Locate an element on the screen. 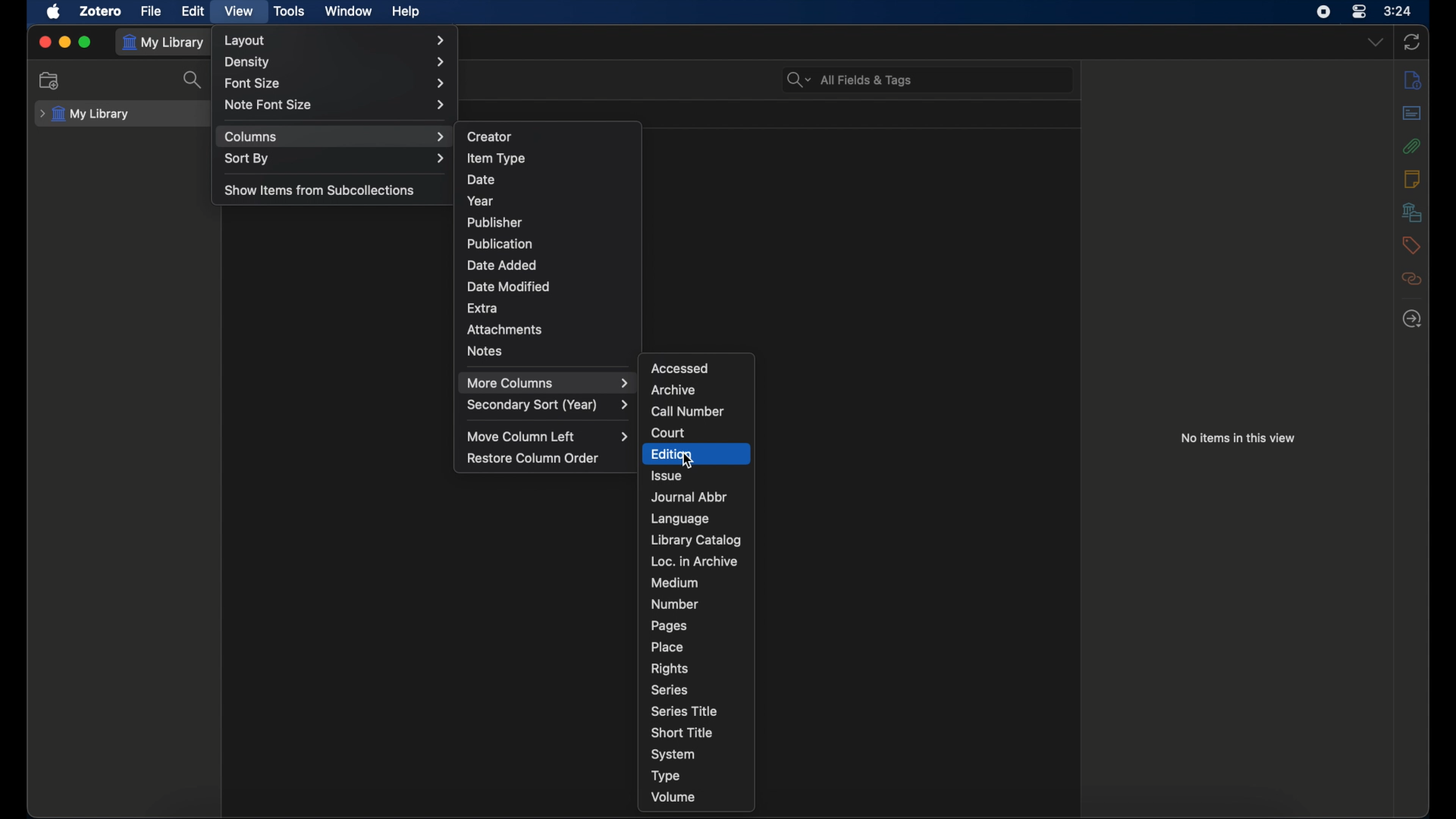 The width and height of the screenshot is (1456, 819). language is located at coordinates (679, 519).